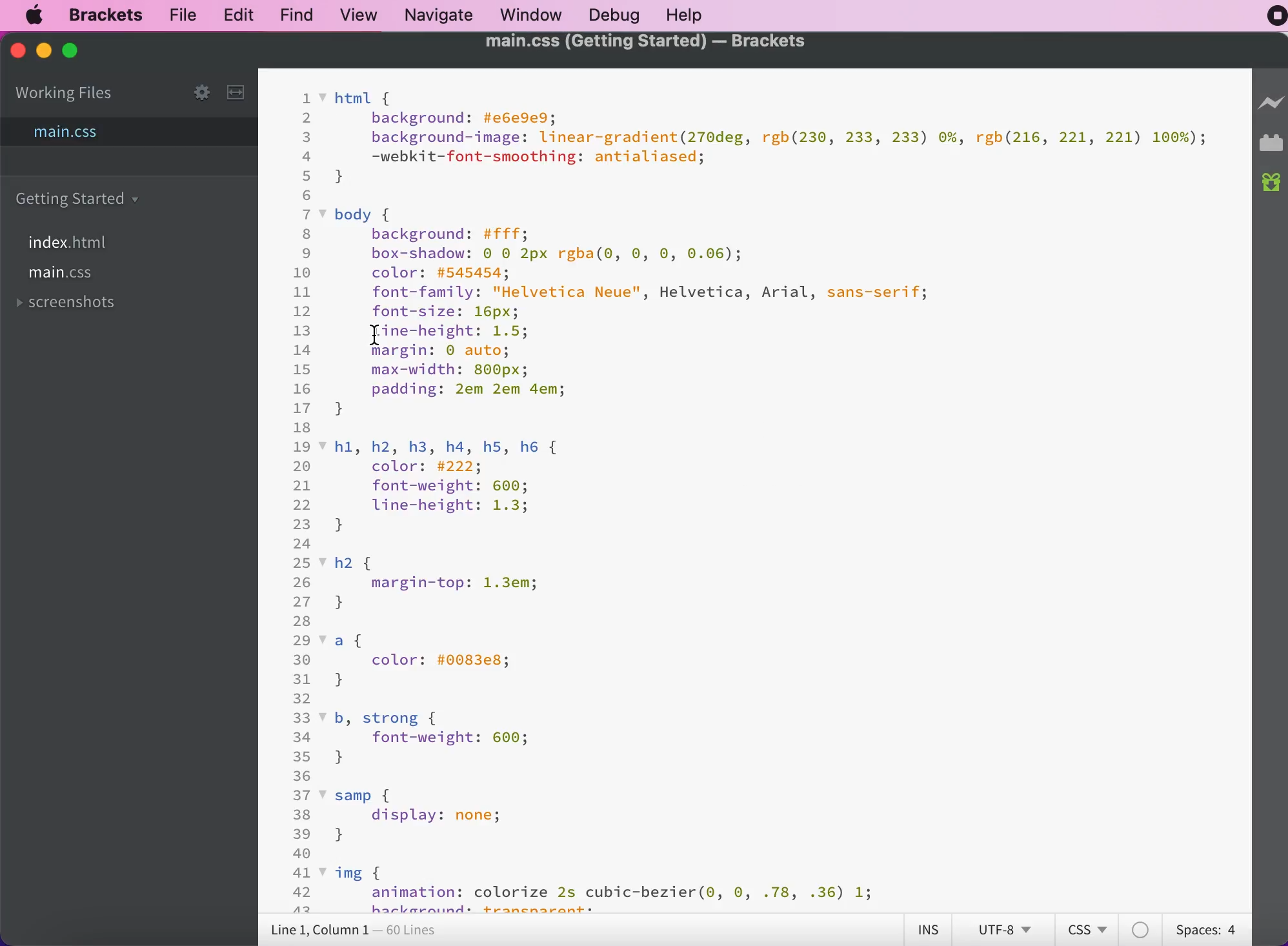 The width and height of the screenshot is (1288, 946). What do you see at coordinates (323, 716) in the screenshot?
I see `code fold` at bounding box center [323, 716].